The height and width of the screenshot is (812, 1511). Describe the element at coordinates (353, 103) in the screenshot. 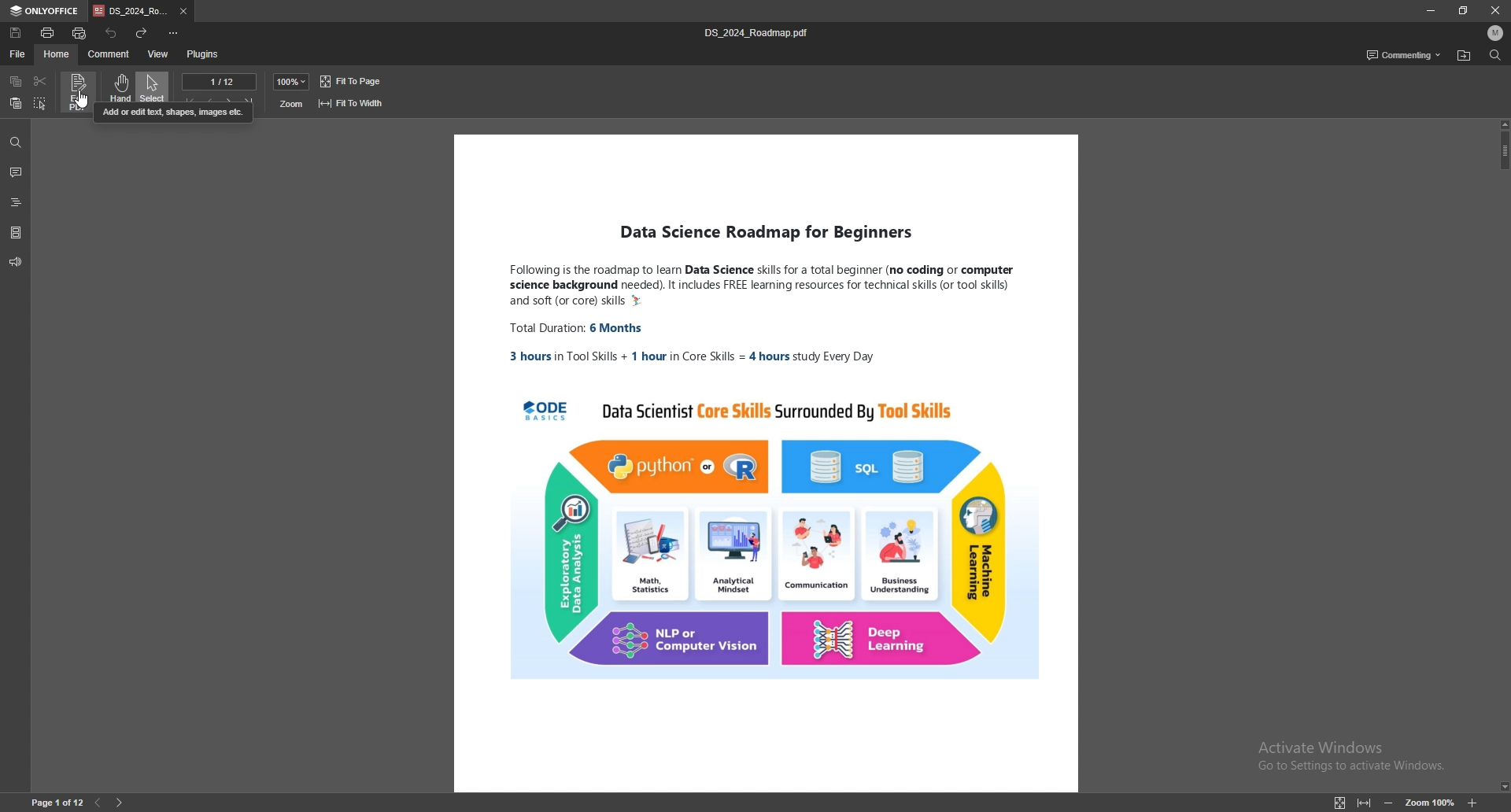

I see `fit to width` at that location.